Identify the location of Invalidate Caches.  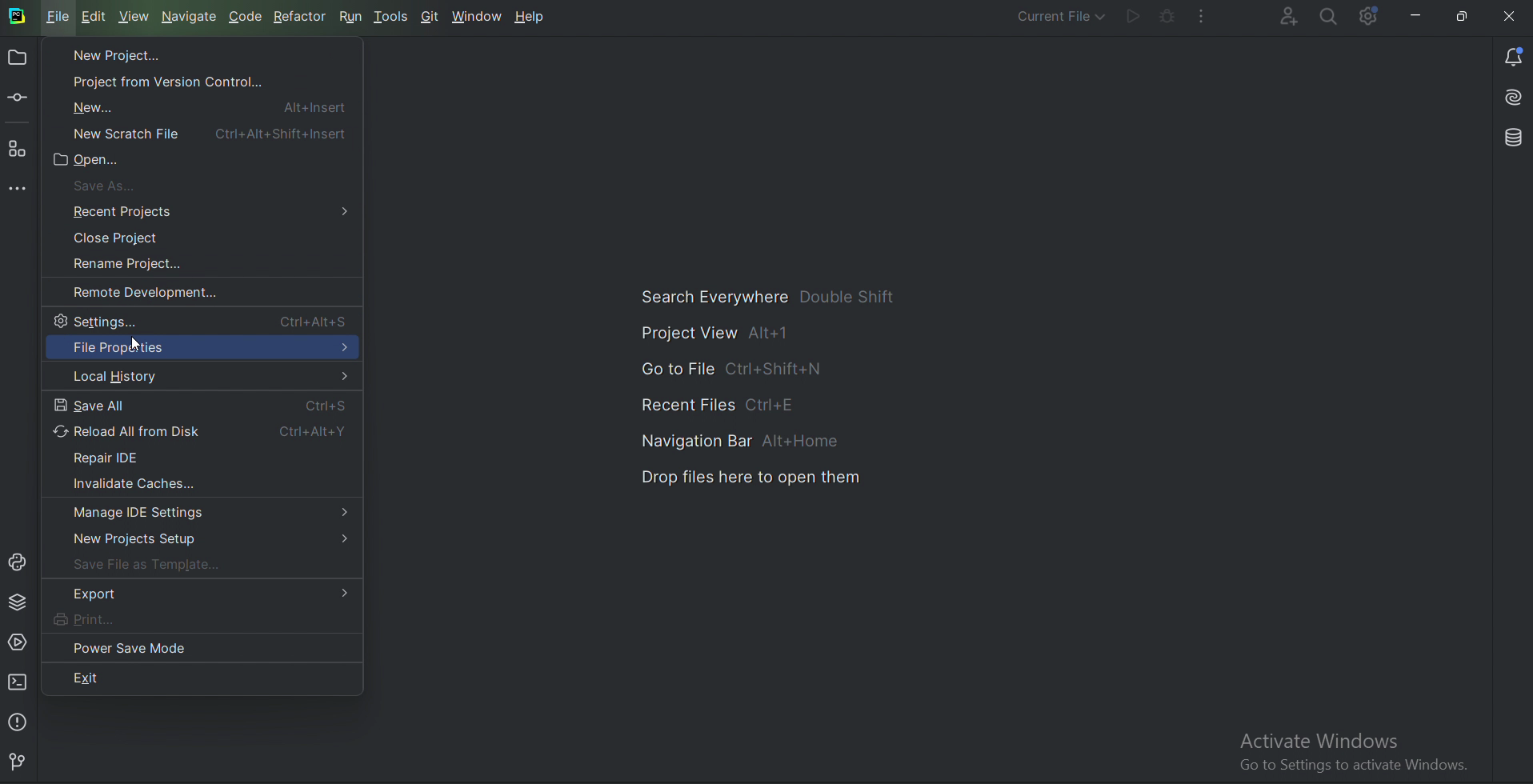
(129, 482).